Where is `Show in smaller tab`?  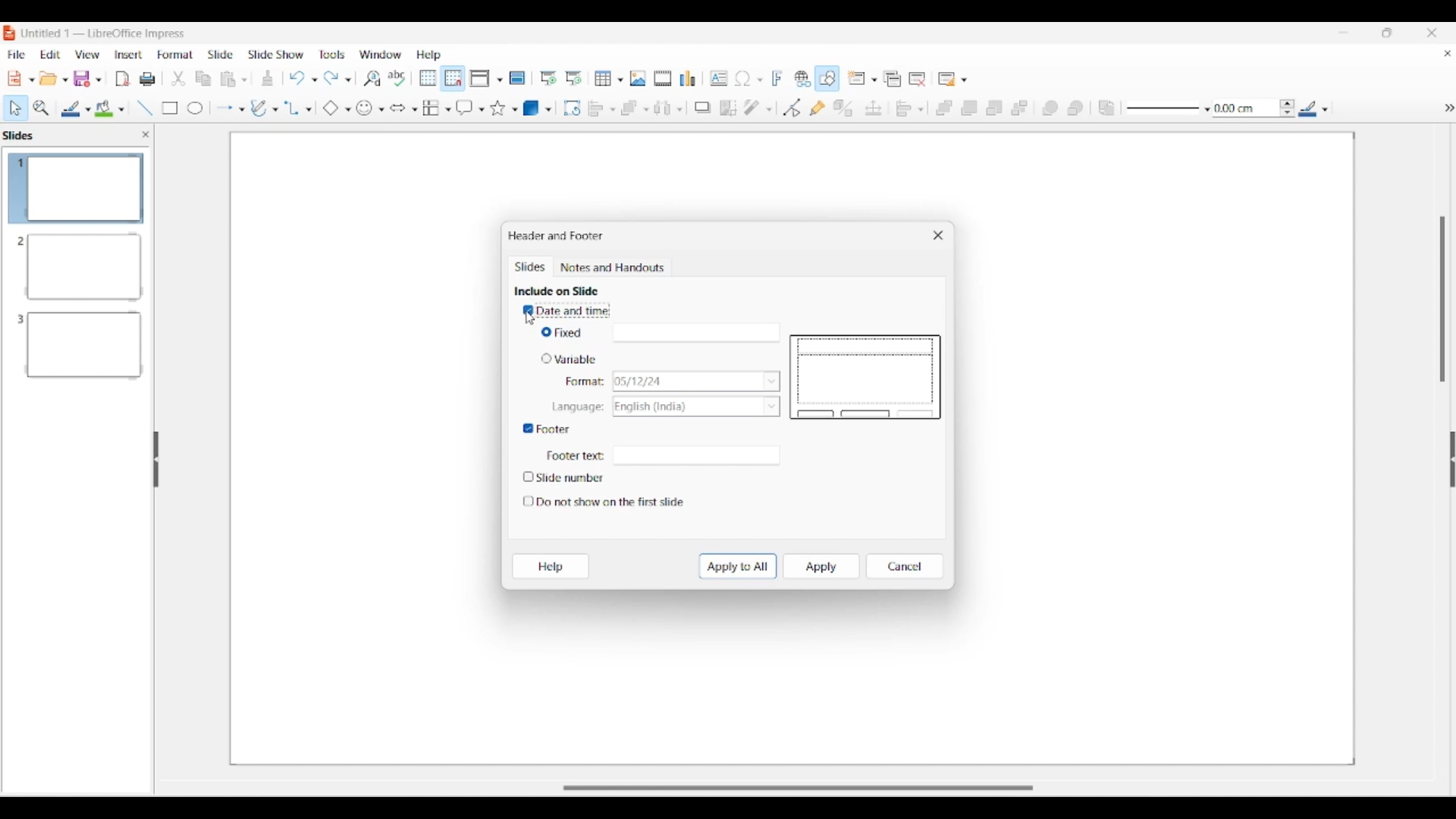
Show in smaller tab is located at coordinates (1387, 33).